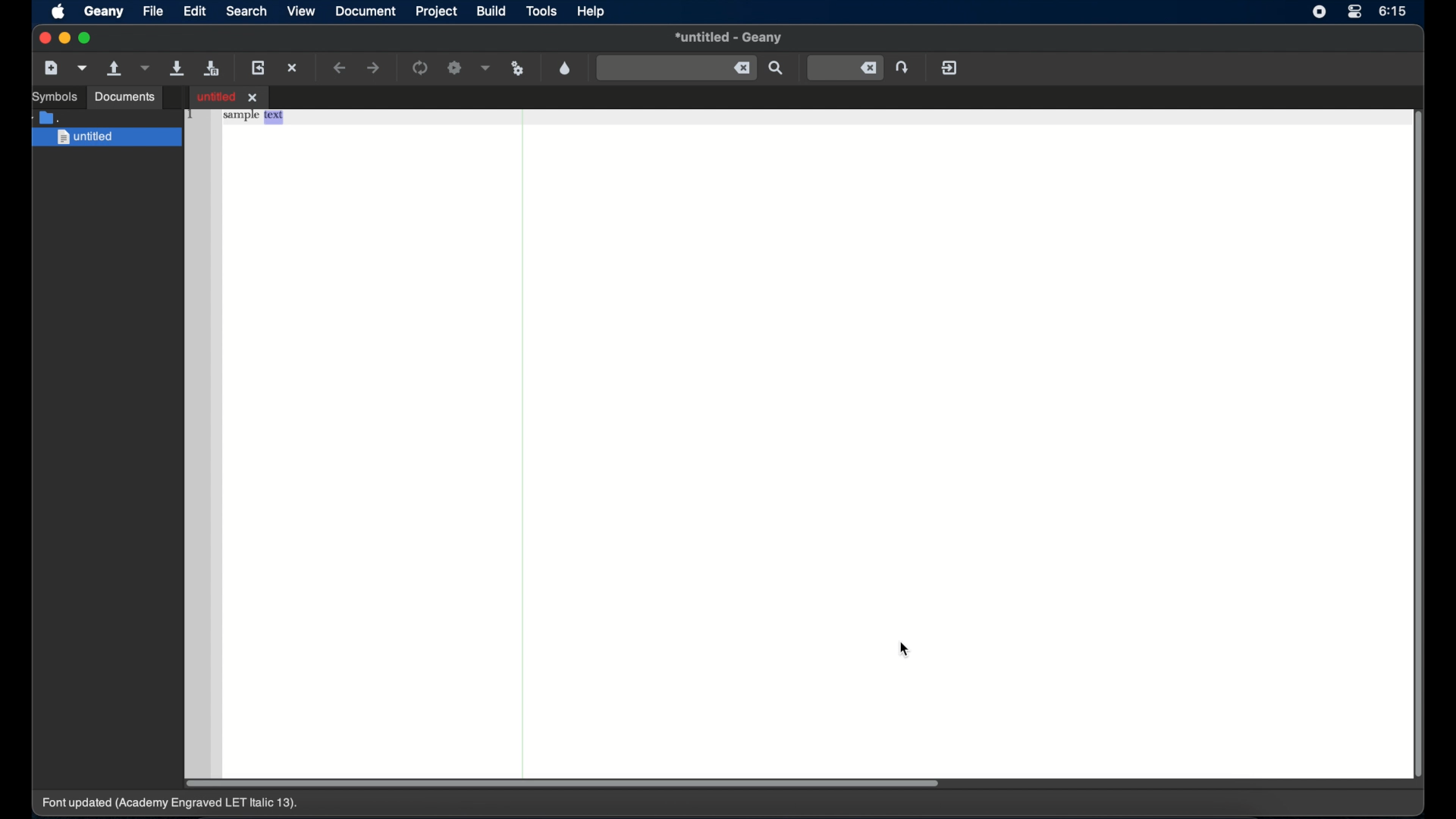 The height and width of the screenshot is (819, 1456). What do you see at coordinates (58, 13) in the screenshot?
I see `apple icon` at bounding box center [58, 13].